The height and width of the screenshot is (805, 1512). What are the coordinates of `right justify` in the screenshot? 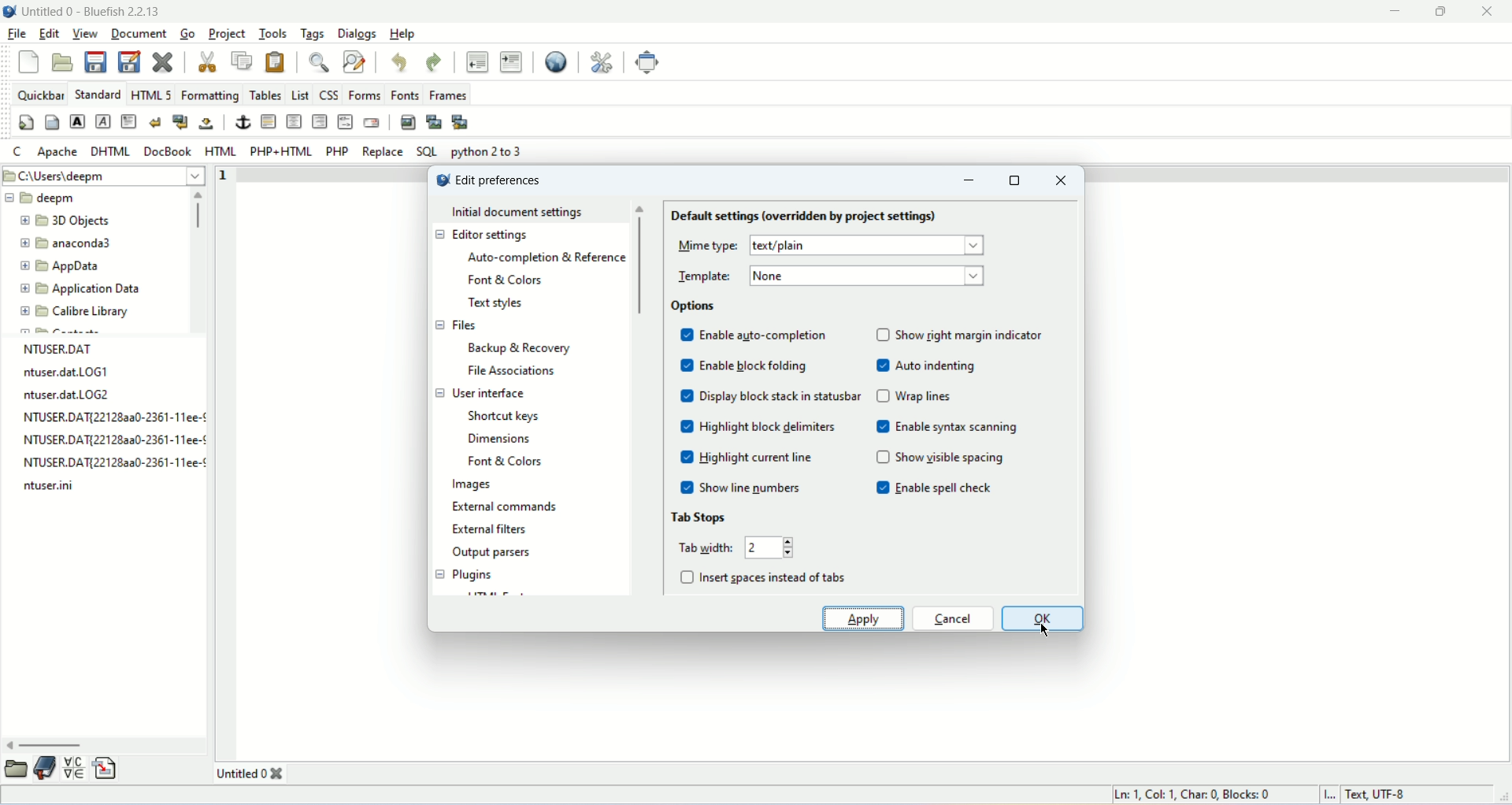 It's located at (318, 121).